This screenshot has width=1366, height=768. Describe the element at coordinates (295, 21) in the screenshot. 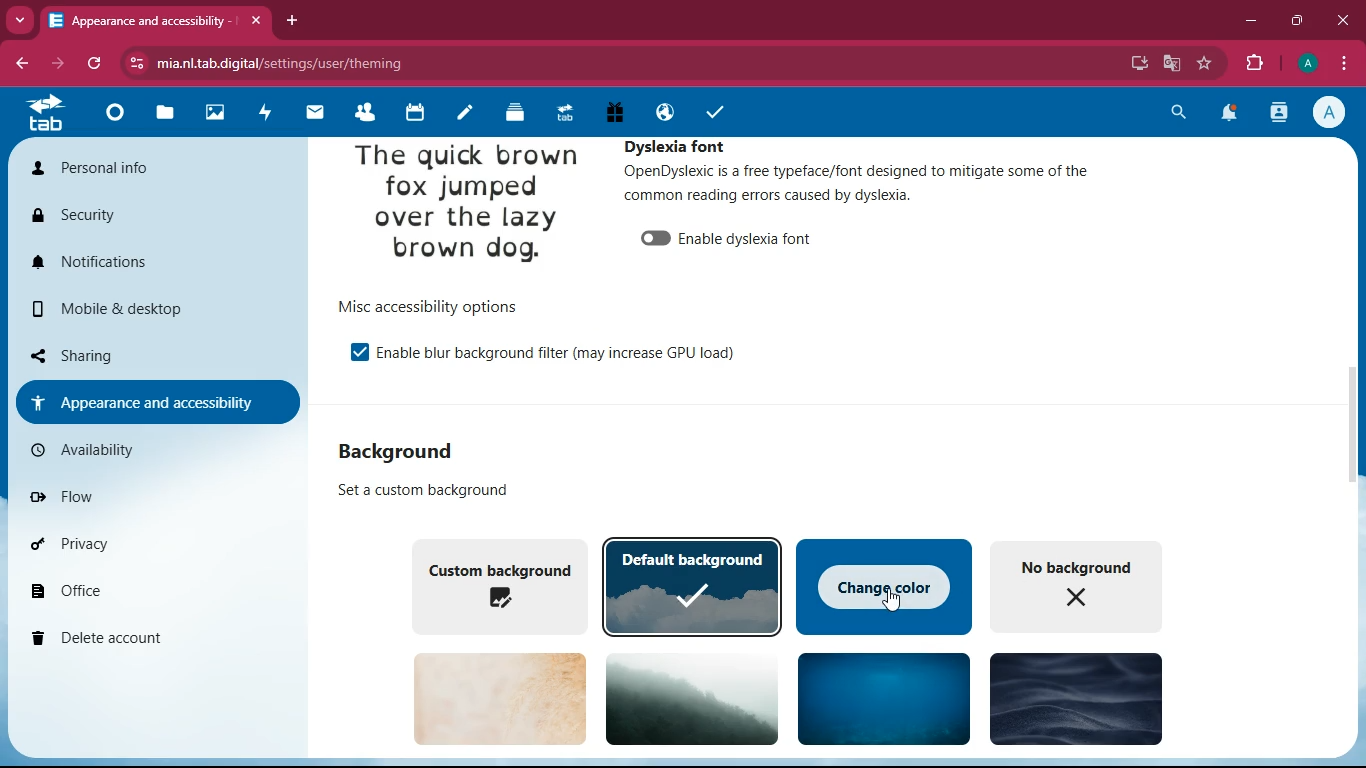

I see `add tab` at that location.